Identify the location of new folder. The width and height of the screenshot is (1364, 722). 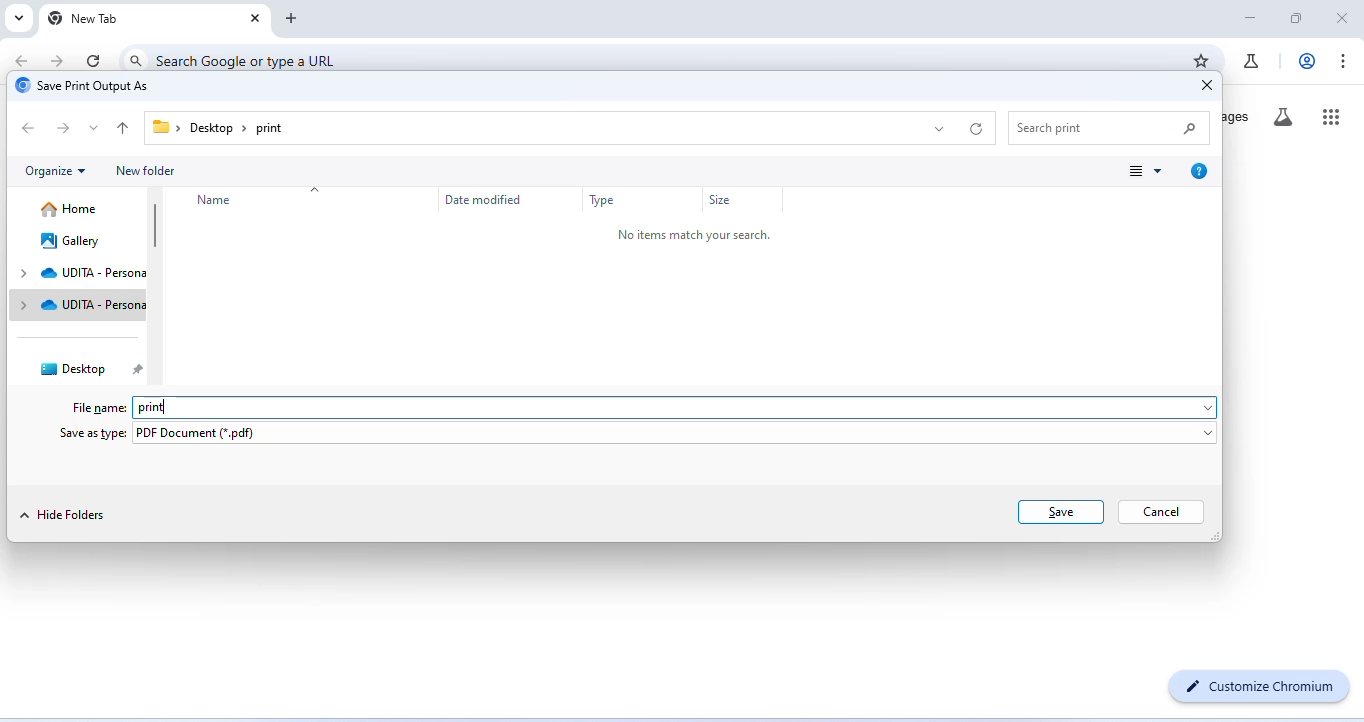
(148, 171).